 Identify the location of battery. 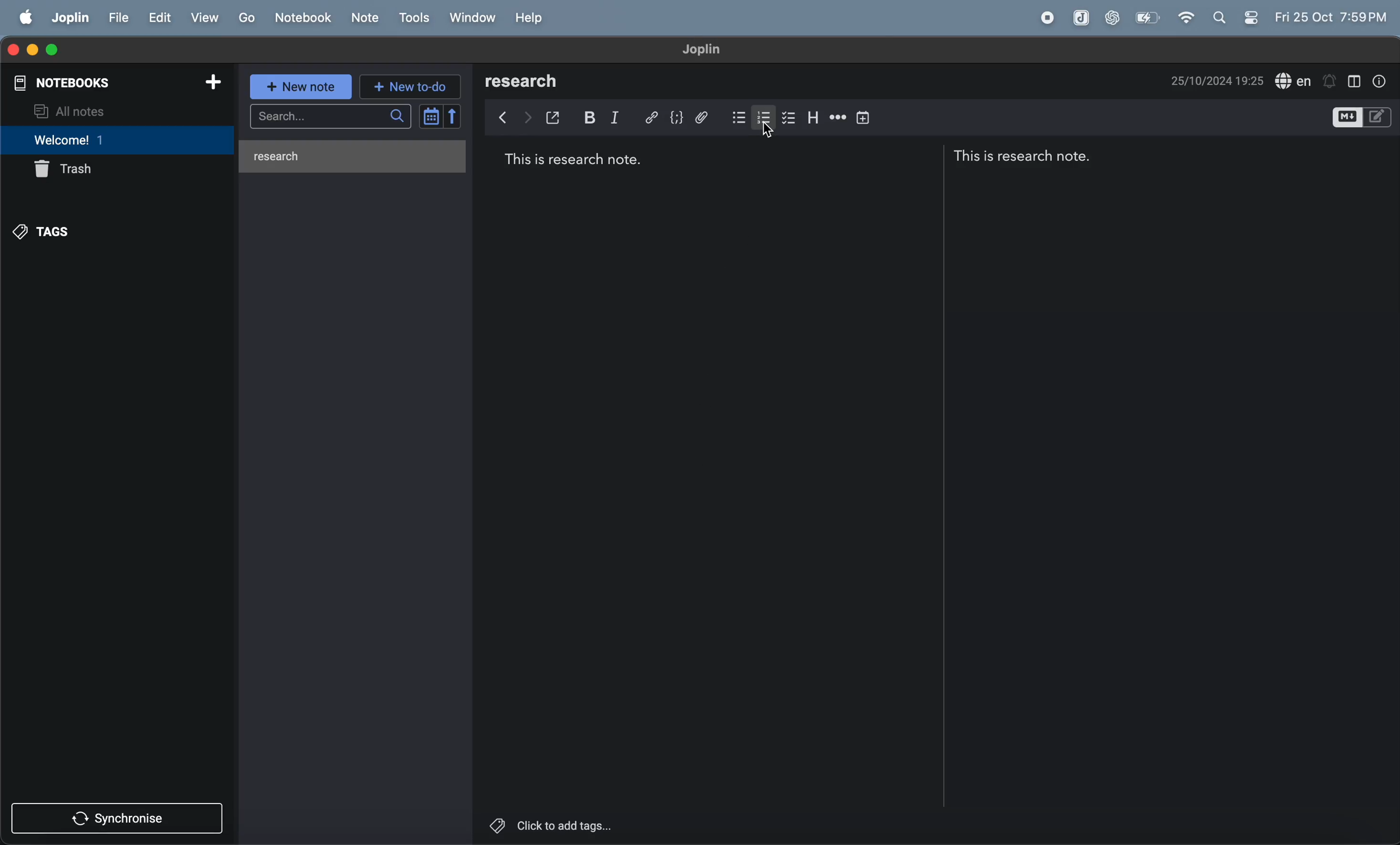
(1149, 17).